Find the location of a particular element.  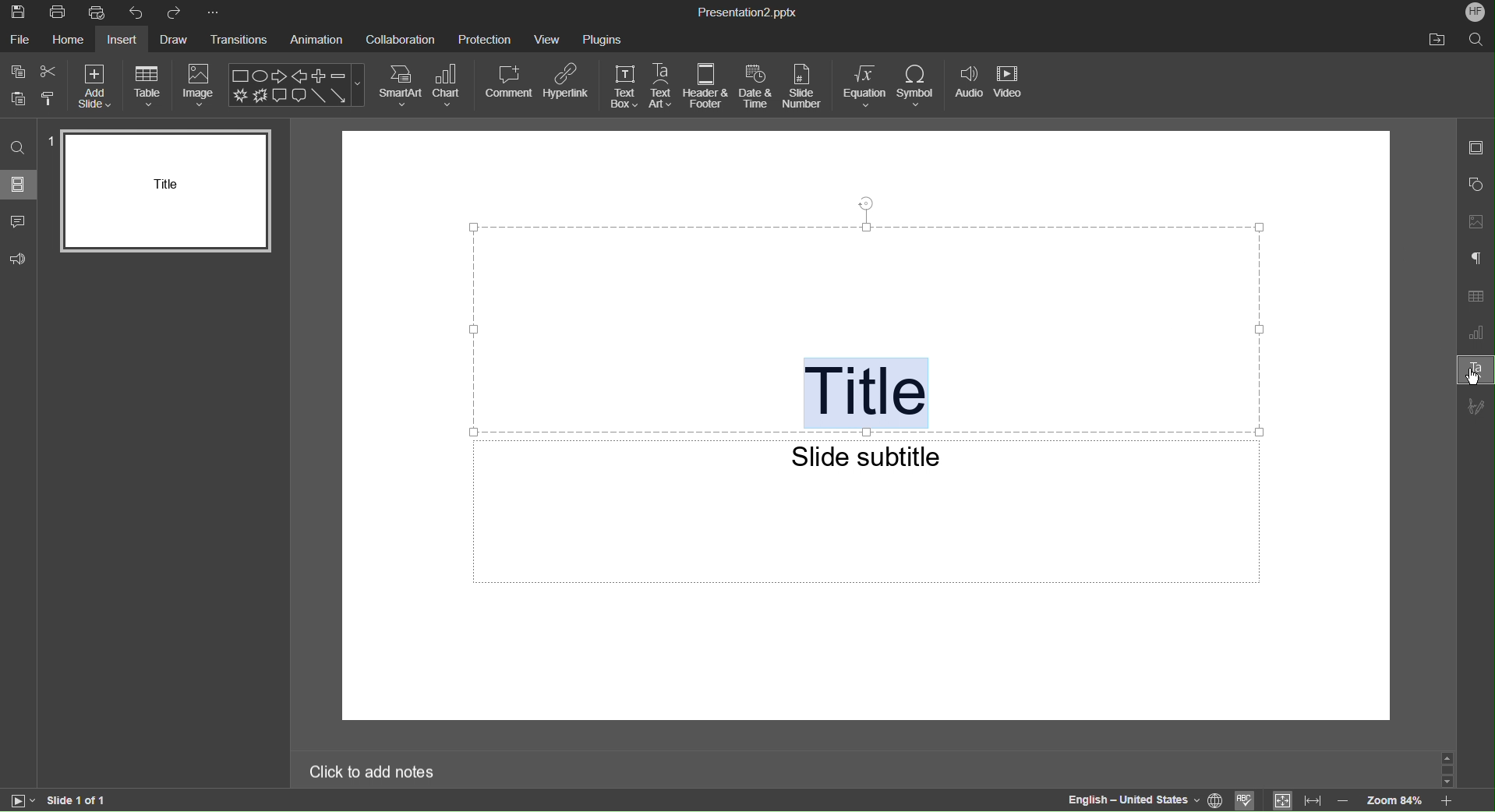

Slide subtitle is located at coordinates (864, 457).